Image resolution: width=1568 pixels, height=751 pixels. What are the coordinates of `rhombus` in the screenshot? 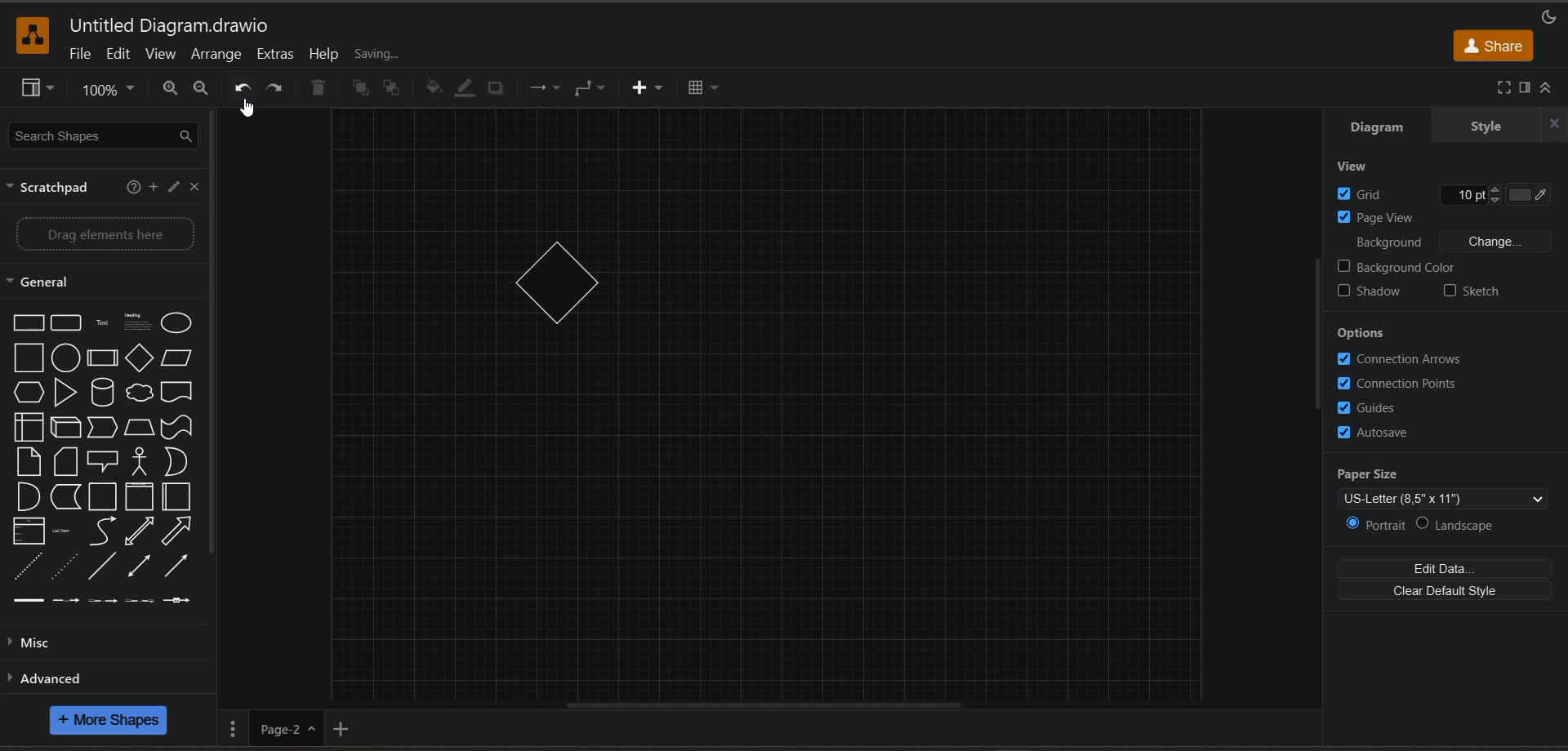 It's located at (553, 284).